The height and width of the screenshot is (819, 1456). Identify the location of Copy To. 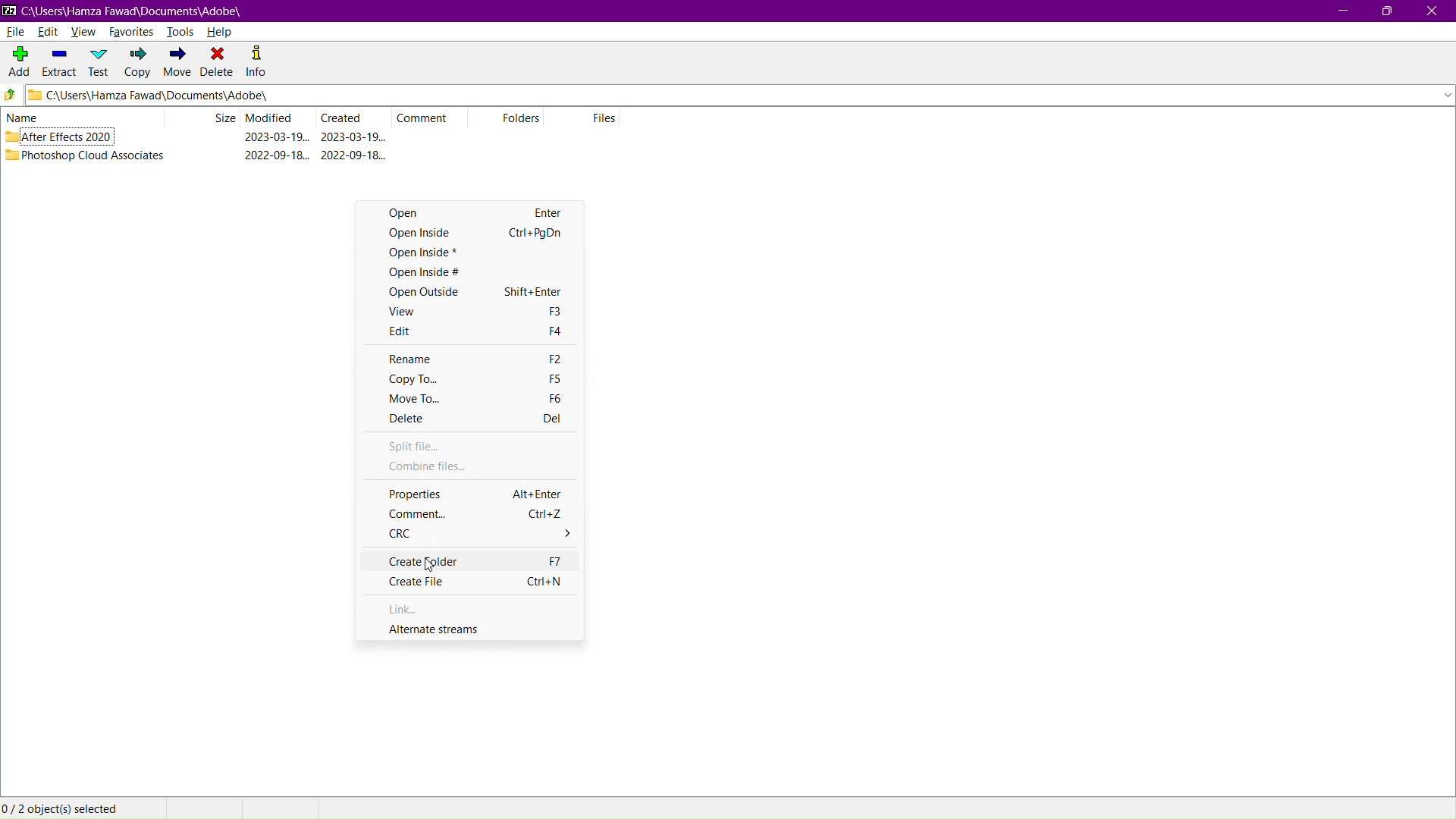
(471, 380).